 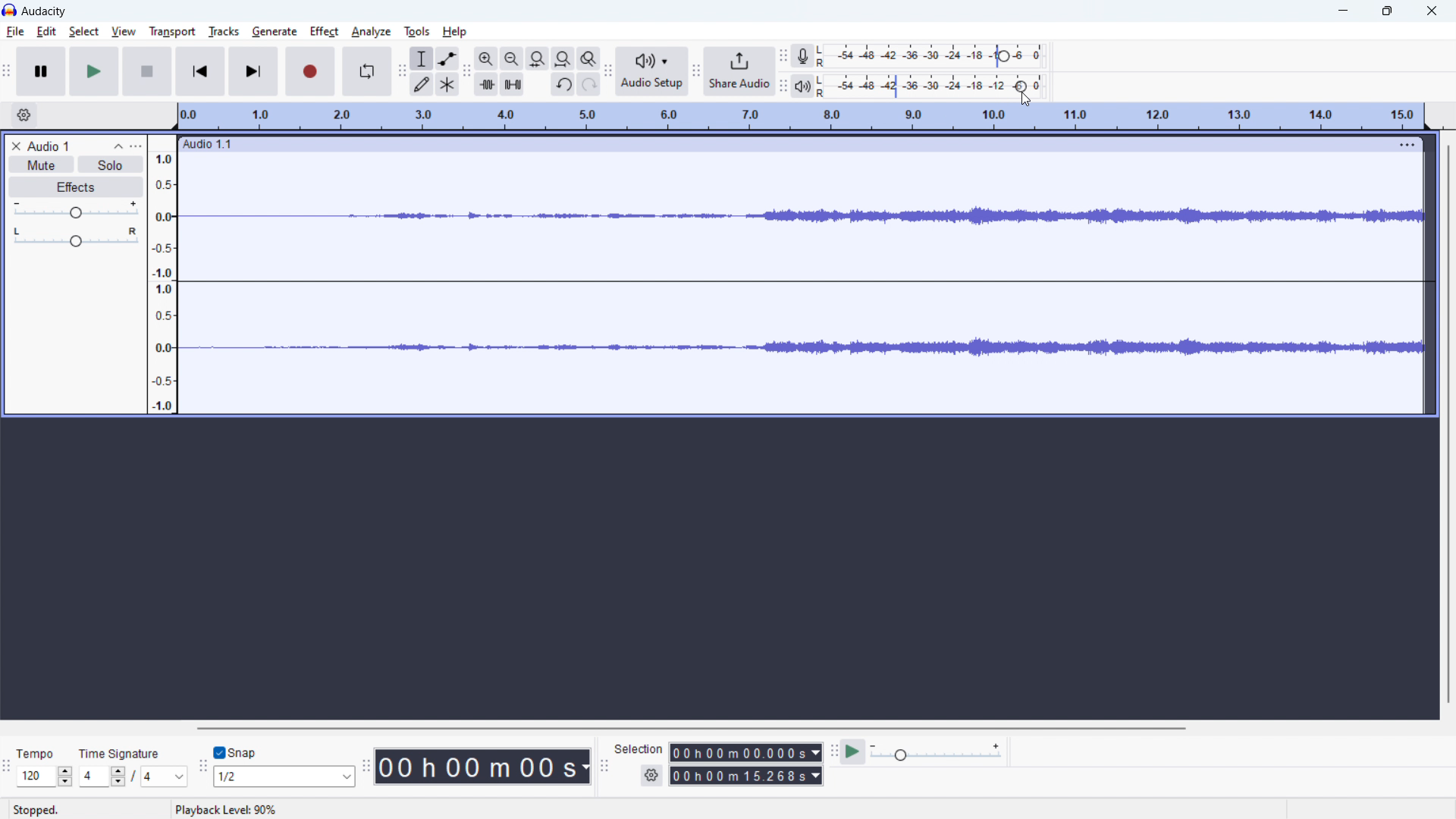 I want to click on analyze, so click(x=371, y=31).